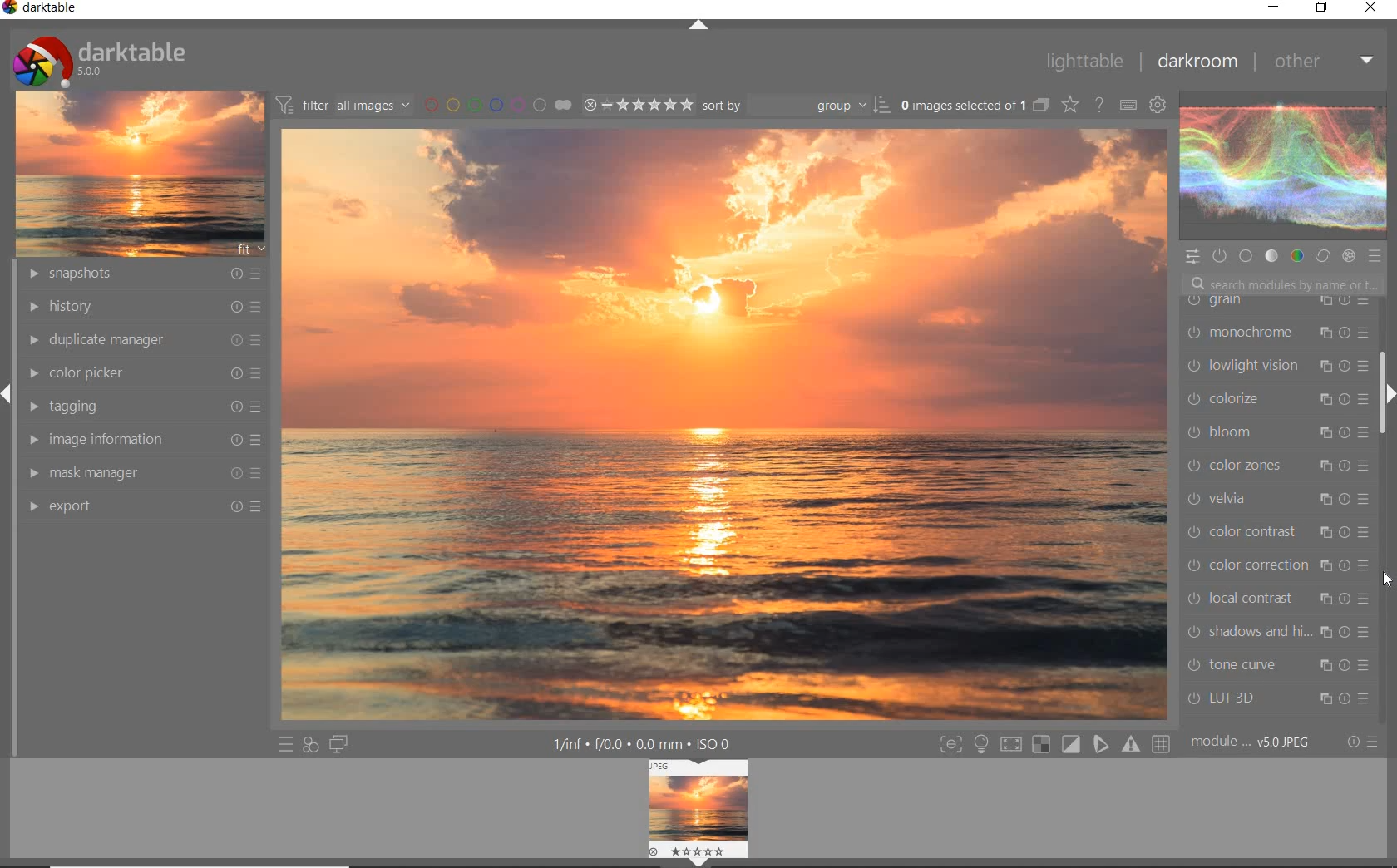 This screenshot has width=1397, height=868. What do you see at coordinates (1323, 257) in the screenshot?
I see `CORRECT` at bounding box center [1323, 257].